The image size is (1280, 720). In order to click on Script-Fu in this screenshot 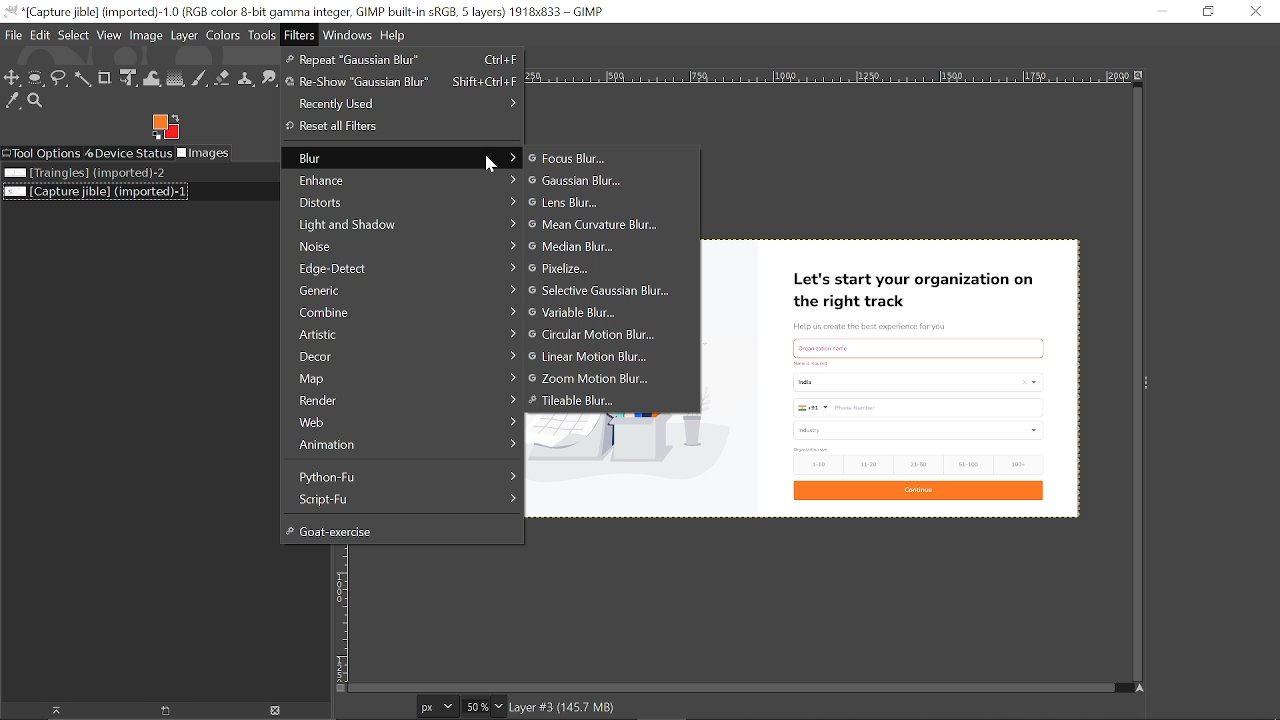, I will do `click(405, 499)`.